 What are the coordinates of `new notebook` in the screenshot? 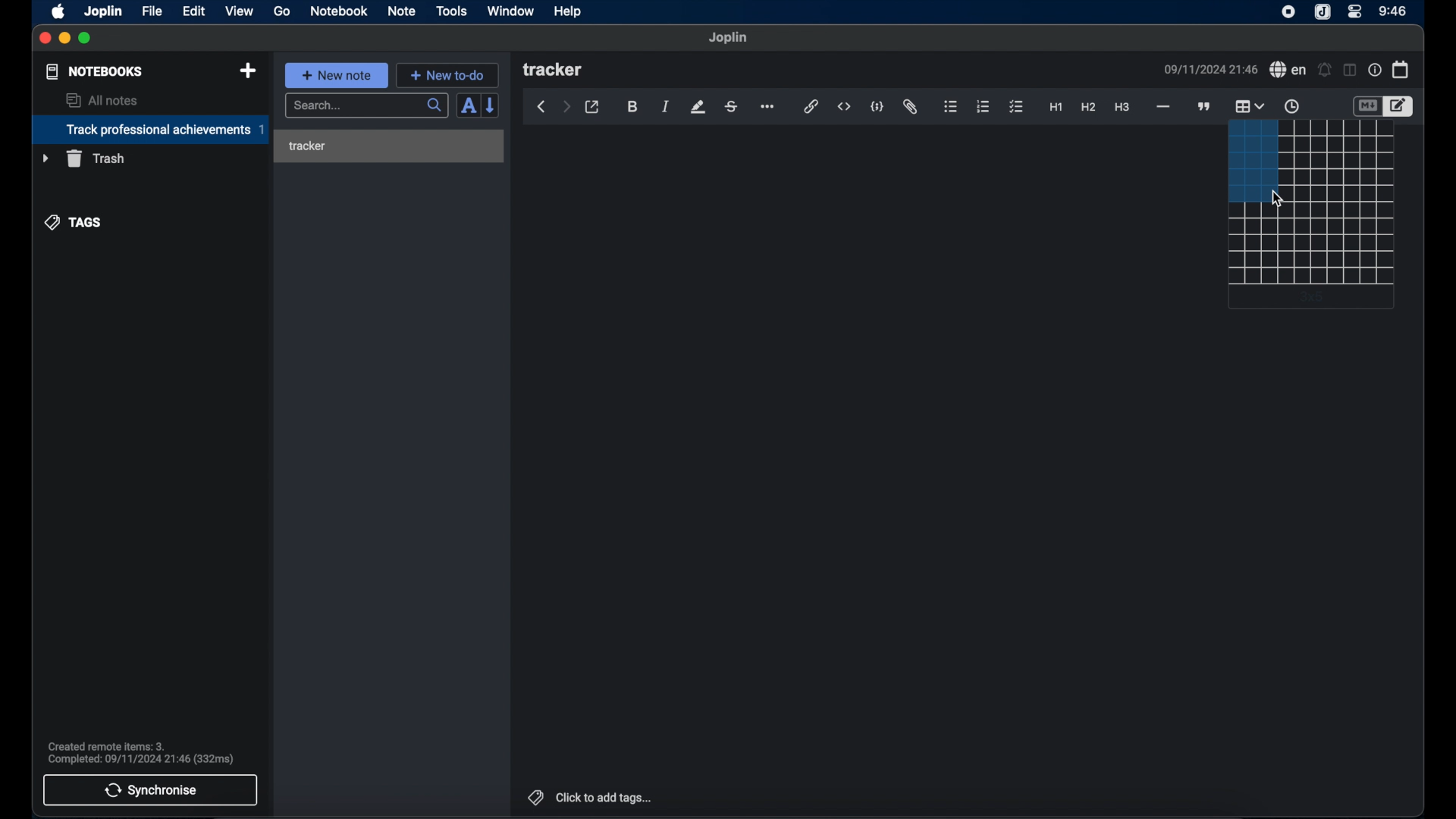 It's located at (248, 71).